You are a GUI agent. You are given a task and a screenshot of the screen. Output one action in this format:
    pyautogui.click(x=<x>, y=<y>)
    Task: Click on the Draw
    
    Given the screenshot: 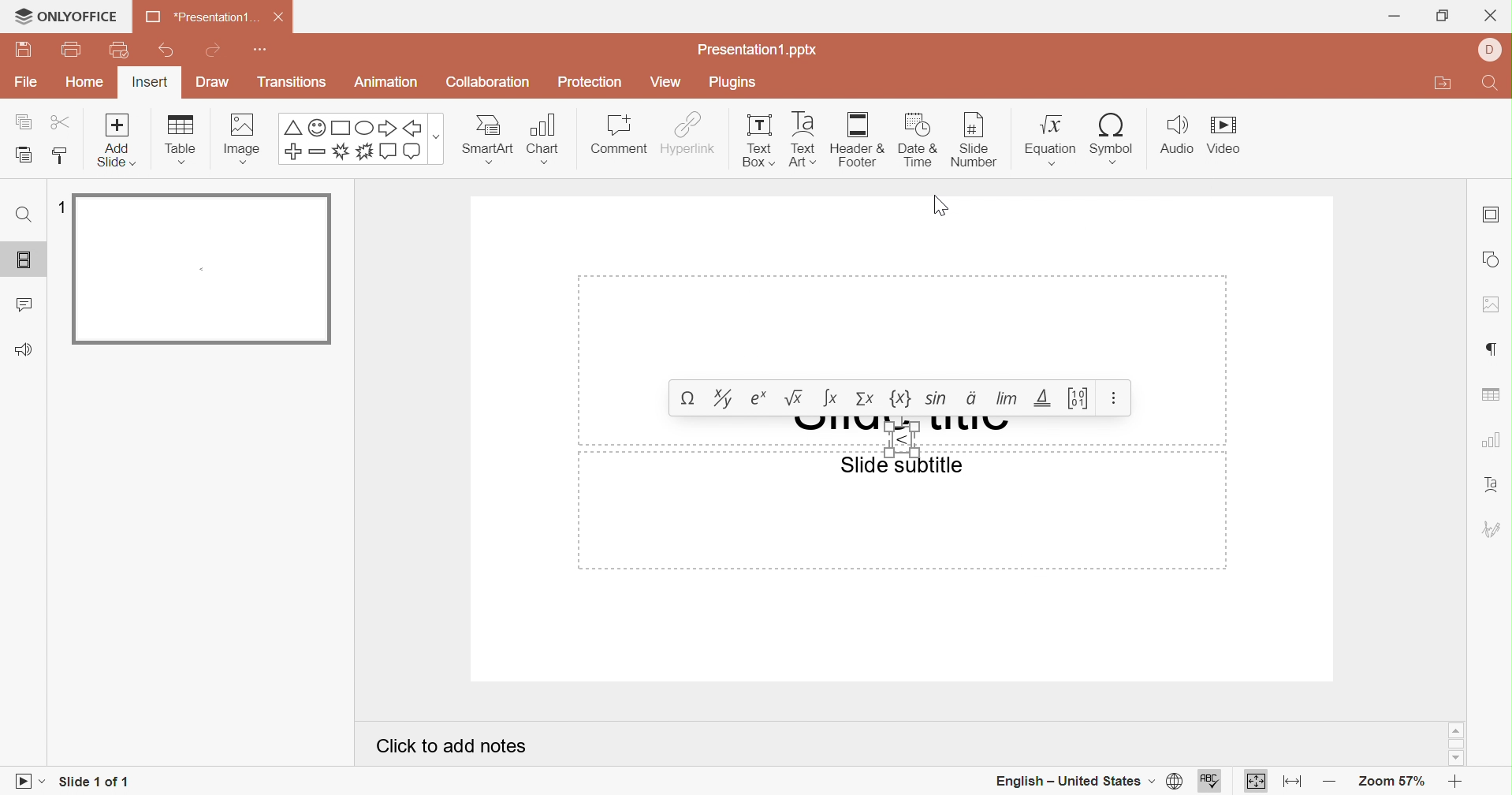 What is the action you would take?
    pyautogui.click(x=213, y=84)
    